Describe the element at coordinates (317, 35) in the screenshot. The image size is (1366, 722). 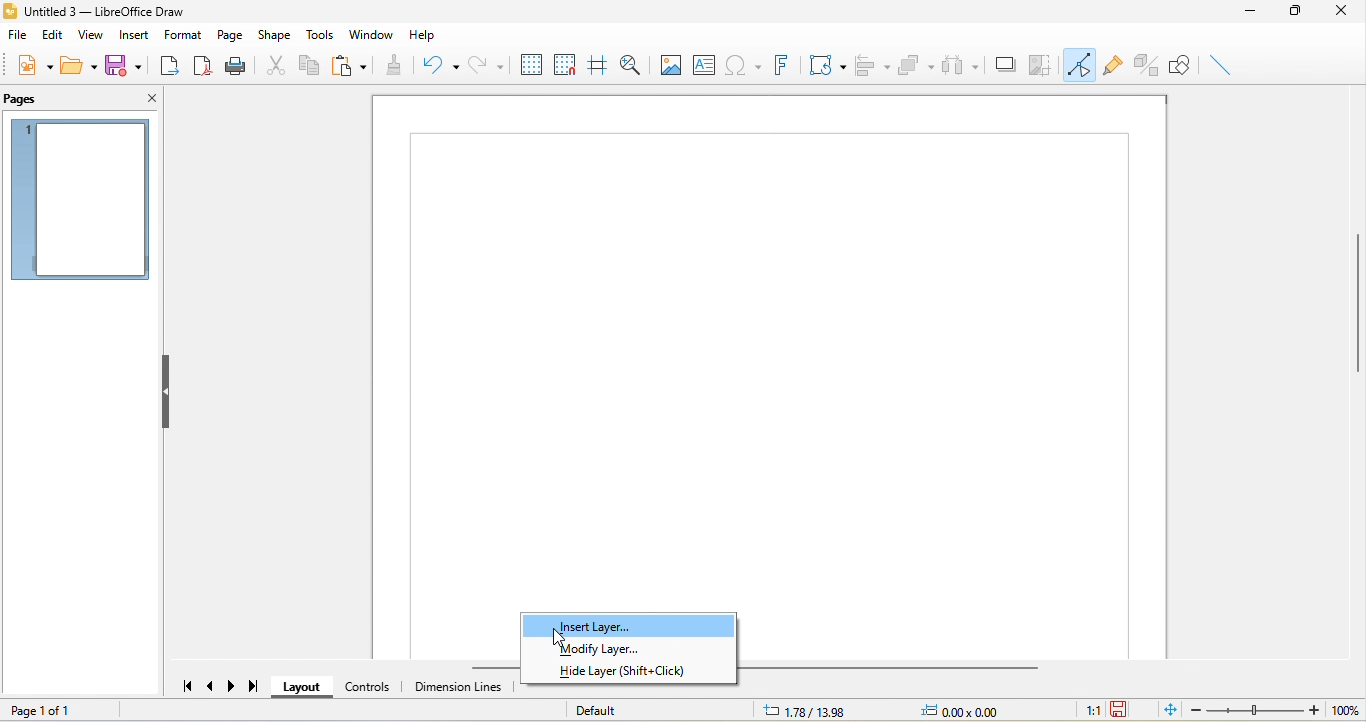
I see `tools` at that location.